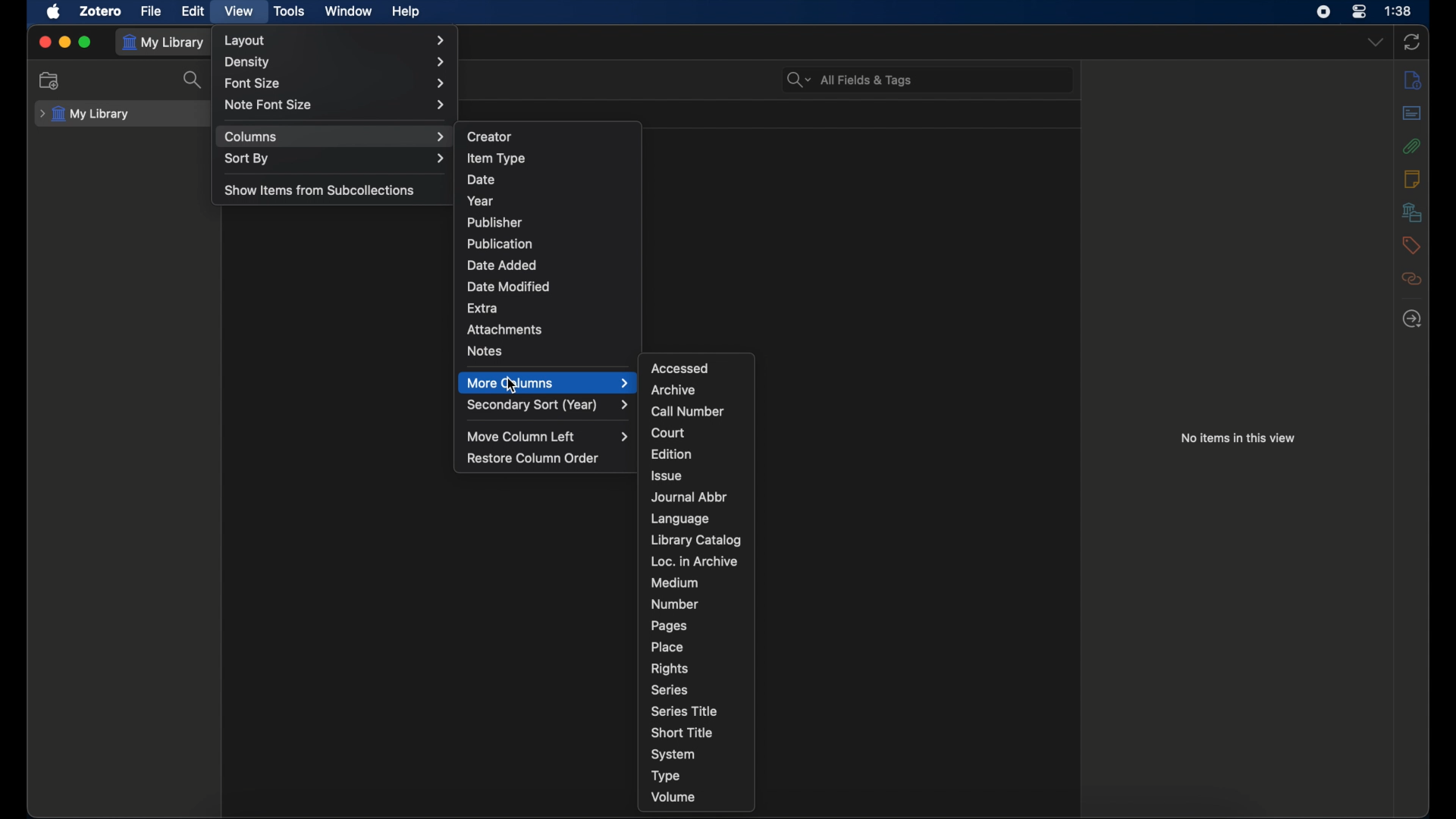 This screenshot has width=1456, height=819. Describe the element at coordinates (667, 646) in the screenshot. I see `place` at that location.